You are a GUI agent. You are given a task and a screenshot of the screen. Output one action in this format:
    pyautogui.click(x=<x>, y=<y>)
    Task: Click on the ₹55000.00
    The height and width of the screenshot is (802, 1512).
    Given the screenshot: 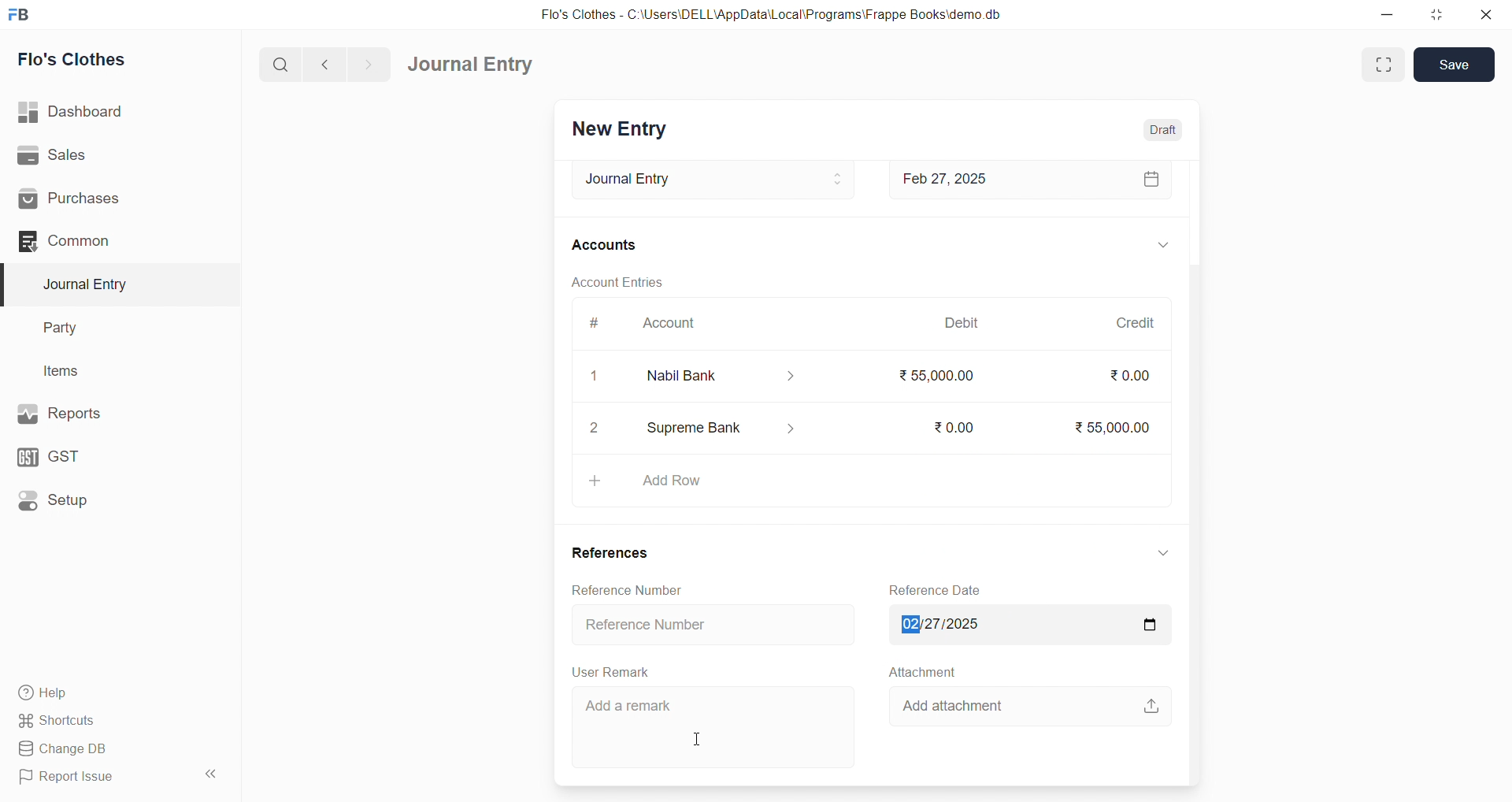 What is the action you would take?
    pyautogui.click(x=931, y=372)
    